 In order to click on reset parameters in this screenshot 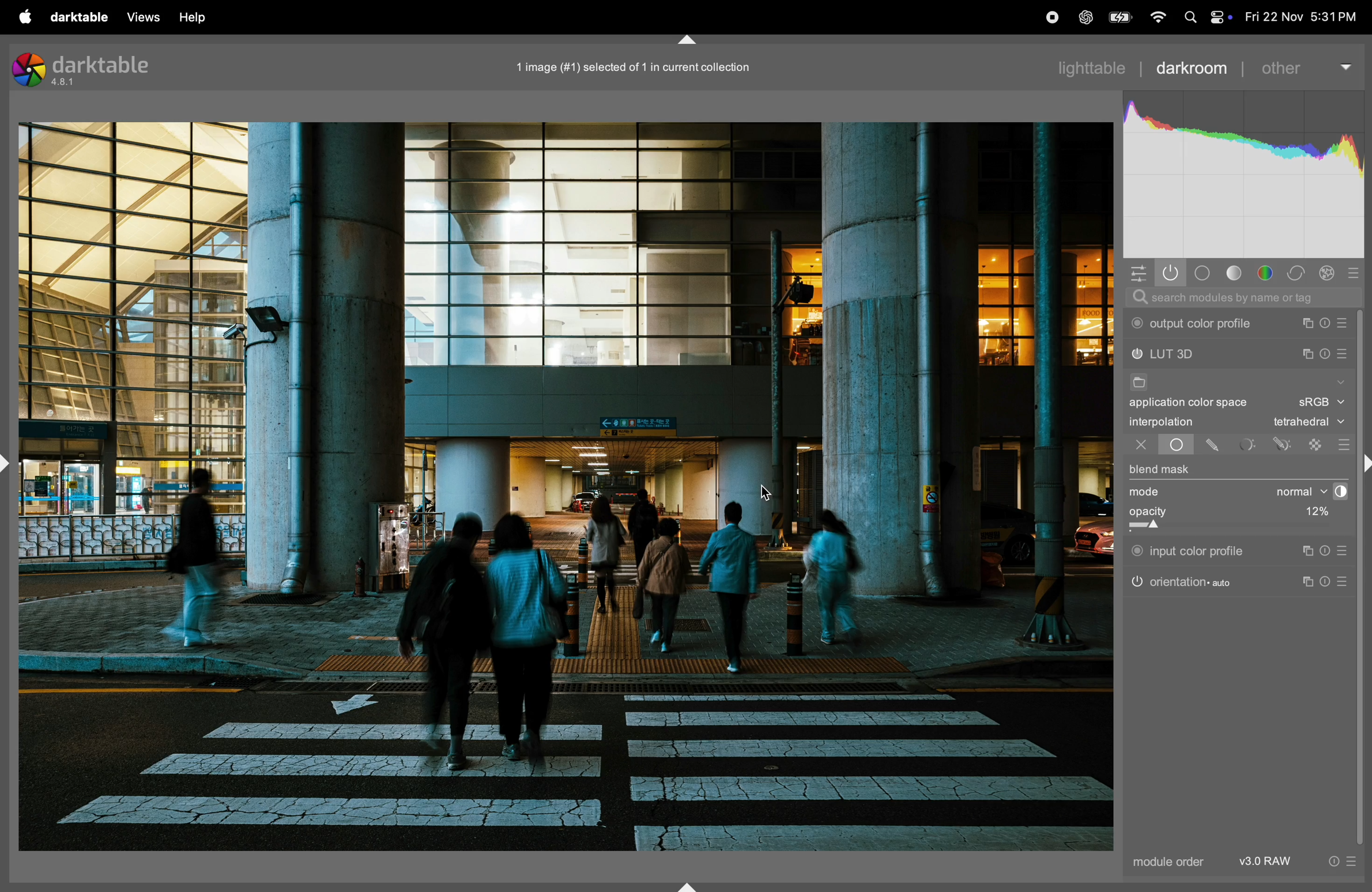, I will do `click(1329, 551)`.